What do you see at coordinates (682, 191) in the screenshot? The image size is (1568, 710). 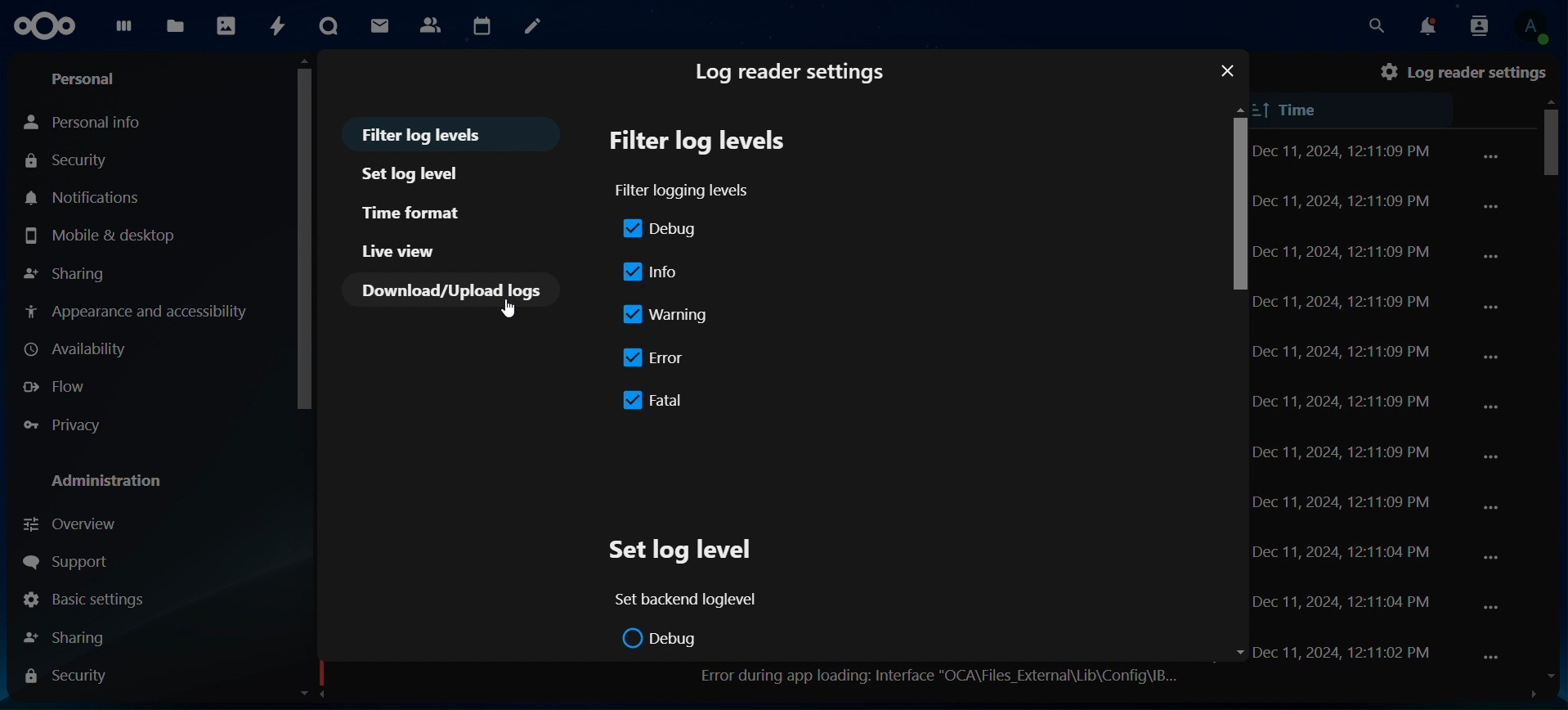 I see `filter logging levels` at bounding box center [682, 191].